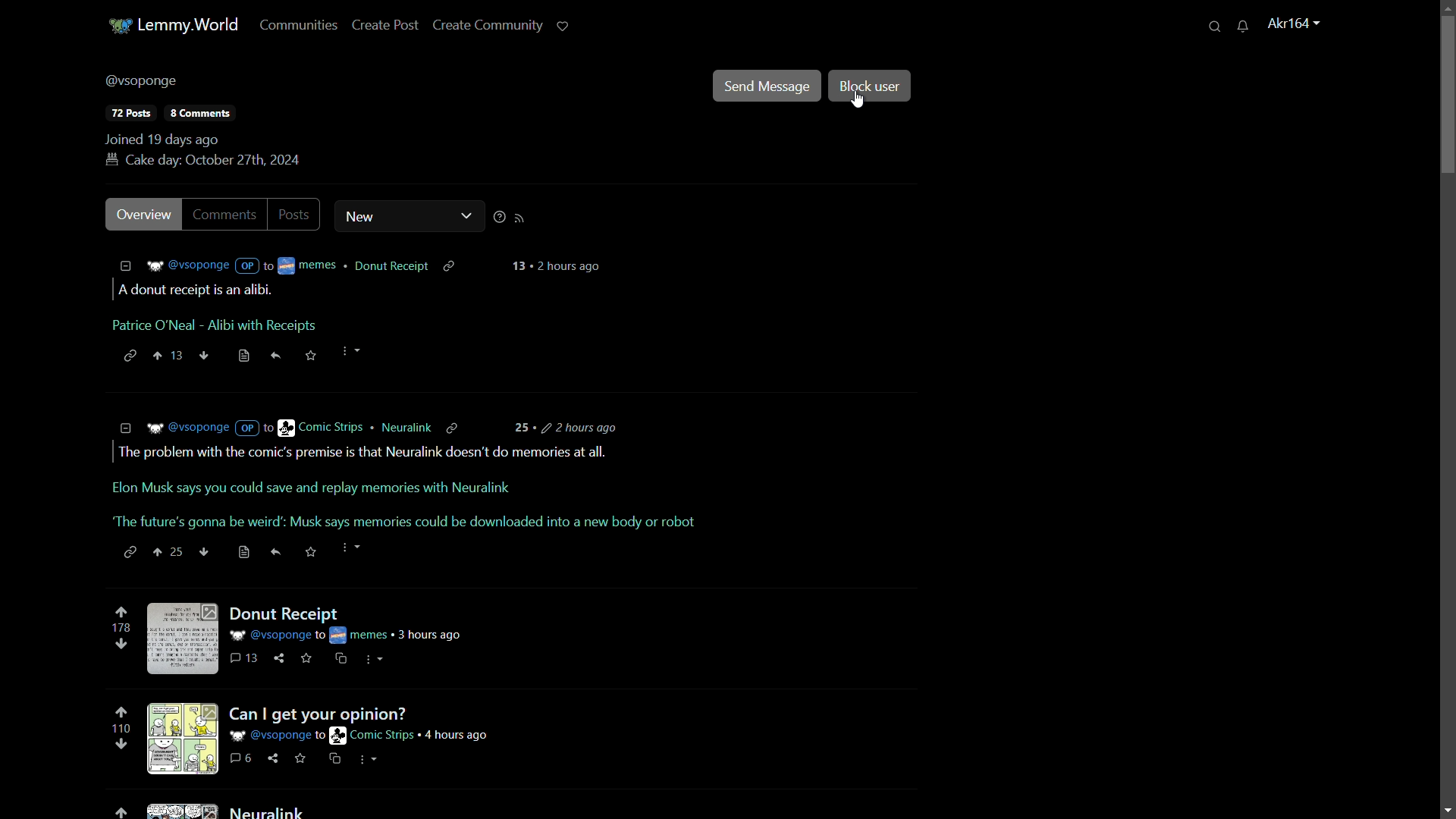 This screenshot has width=1456, height=819. What do you see at coordinates (121, 613) in the screenshot?
I see `upvote` at bounding box center [121, 613].